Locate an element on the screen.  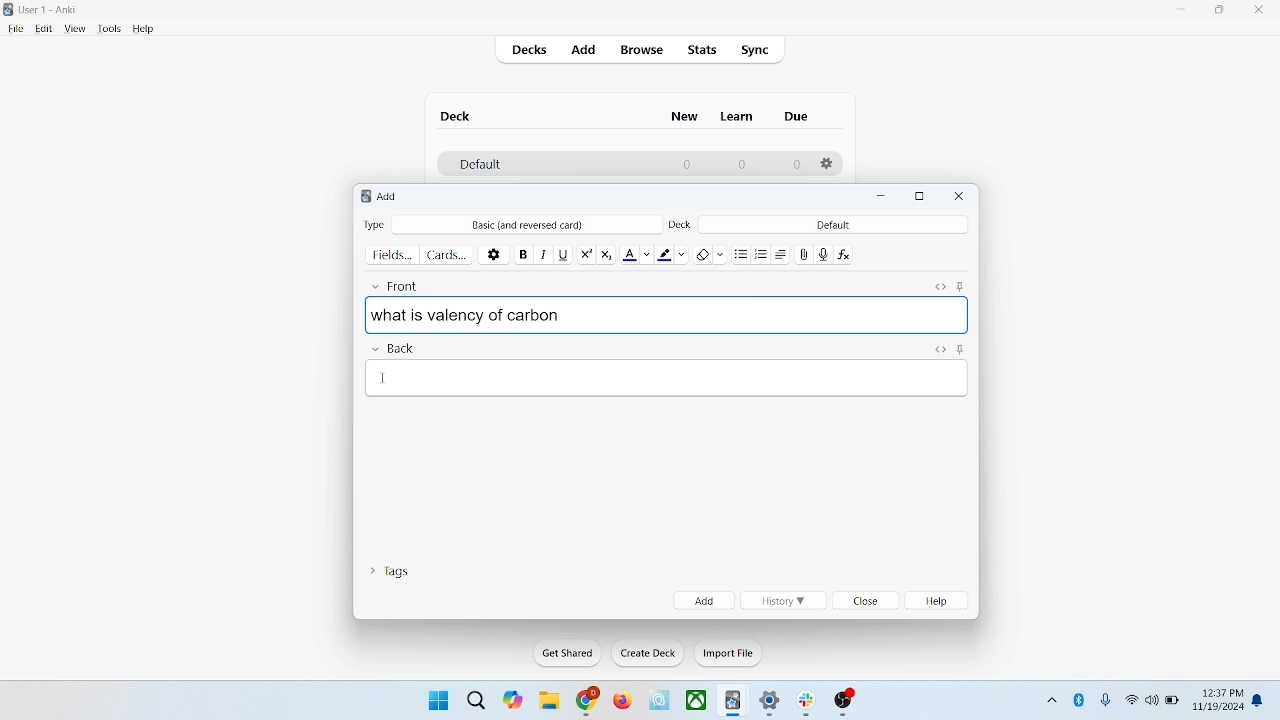
browse is located at coordinates (640, 49).